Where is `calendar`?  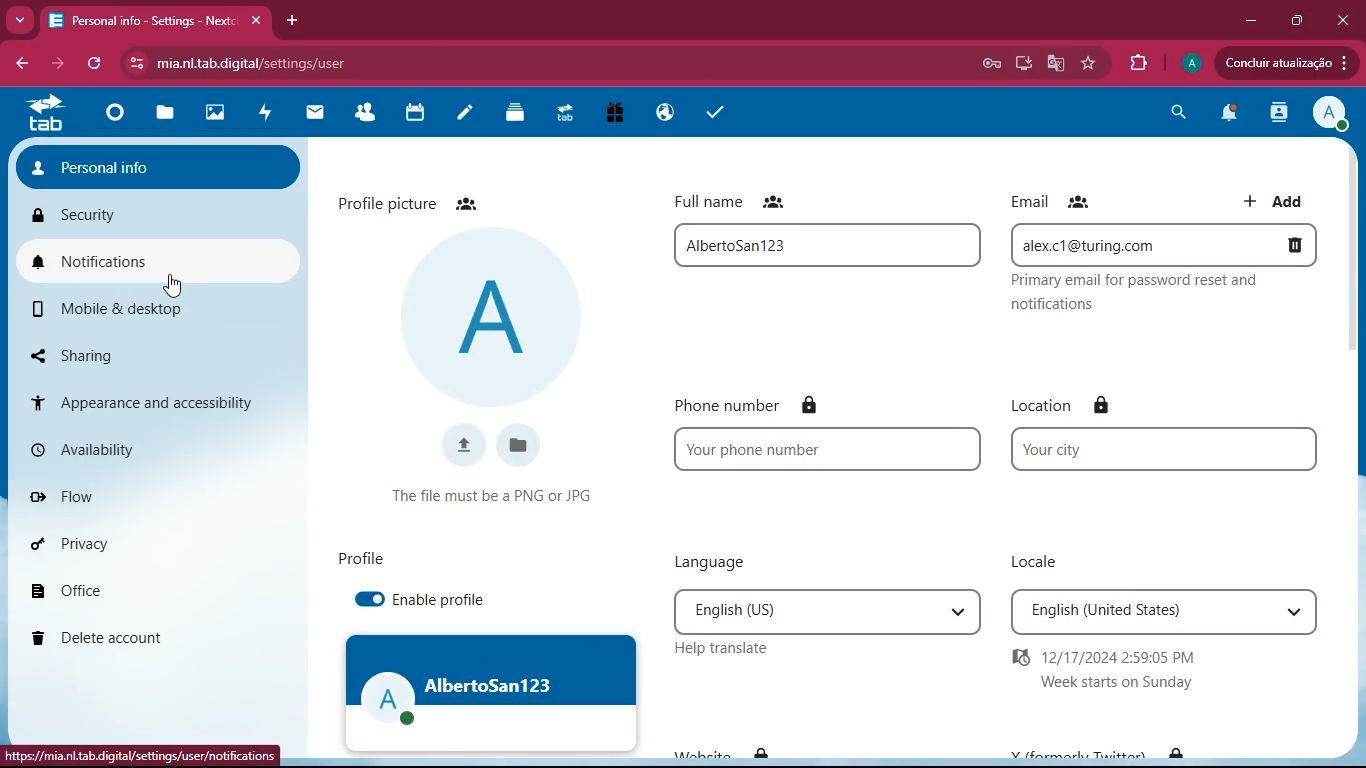
calendar is located at coordinates (414, 114).